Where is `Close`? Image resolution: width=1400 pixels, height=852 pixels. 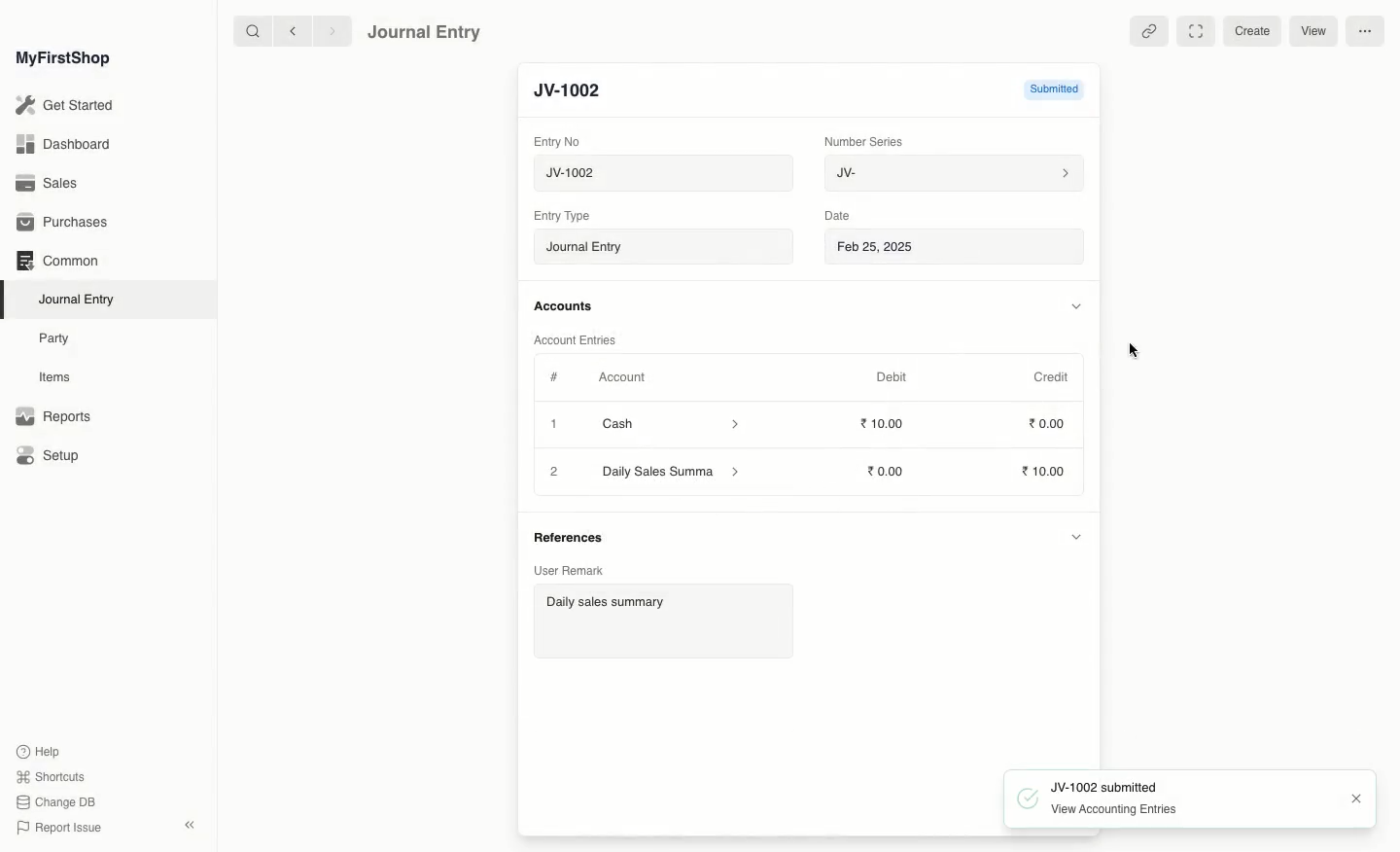
Close is located at coordinates (555, 472).